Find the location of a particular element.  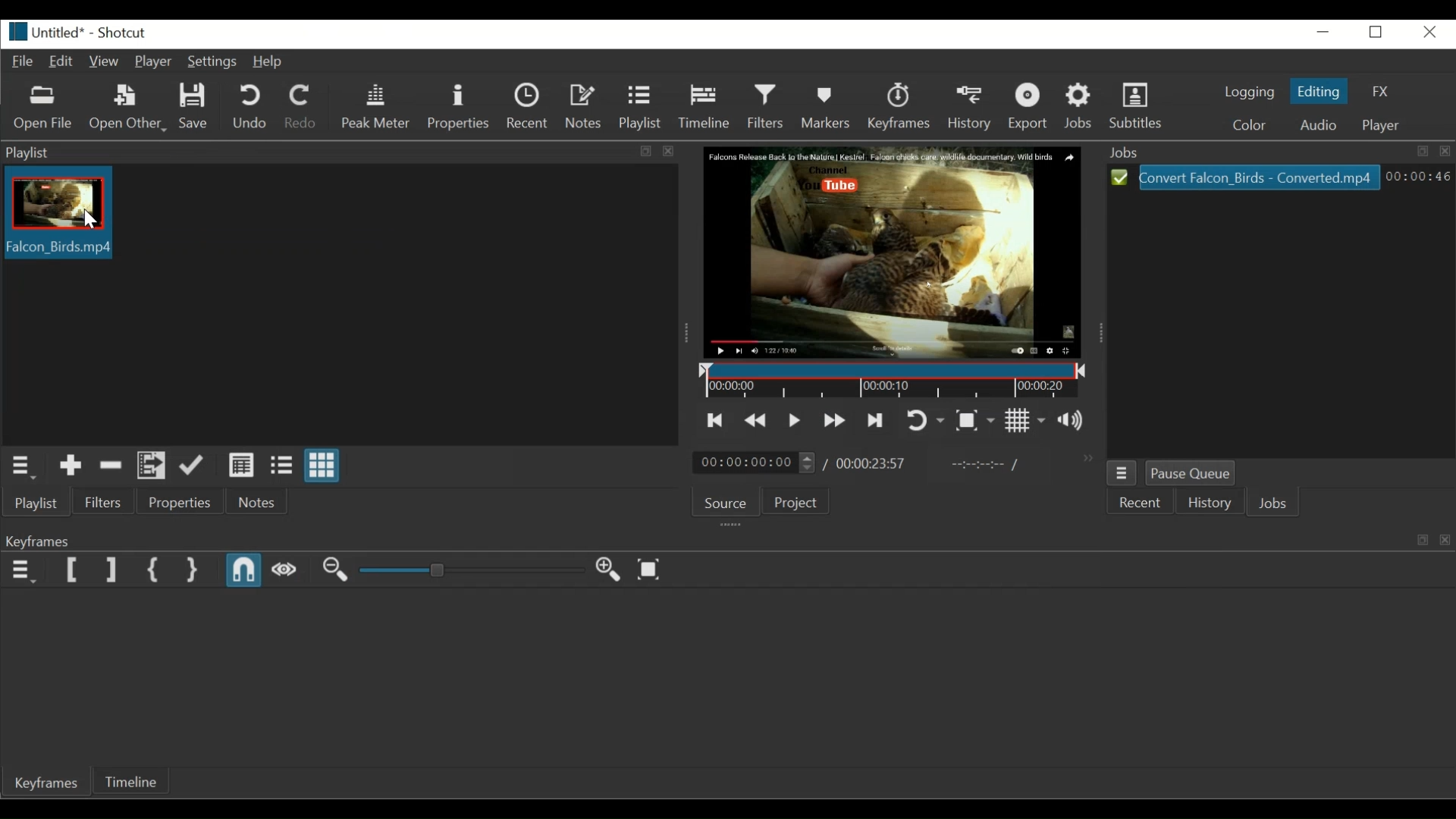

Peak meter is located at coordinates (375, 107).